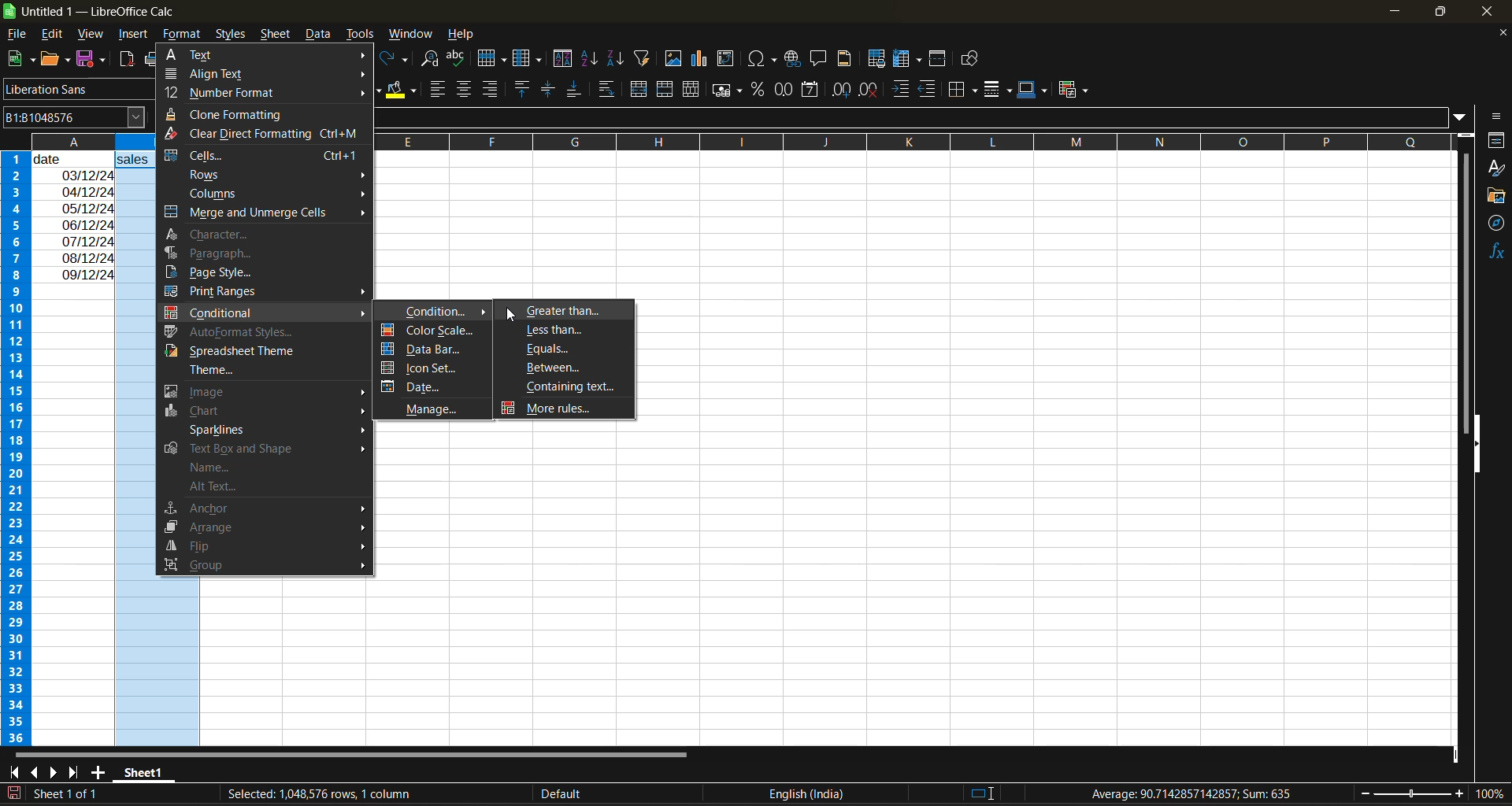  What do you see at coordinates (1493, 253) in the screenshot?
I see `functions` at bounding box center [1493, 253].